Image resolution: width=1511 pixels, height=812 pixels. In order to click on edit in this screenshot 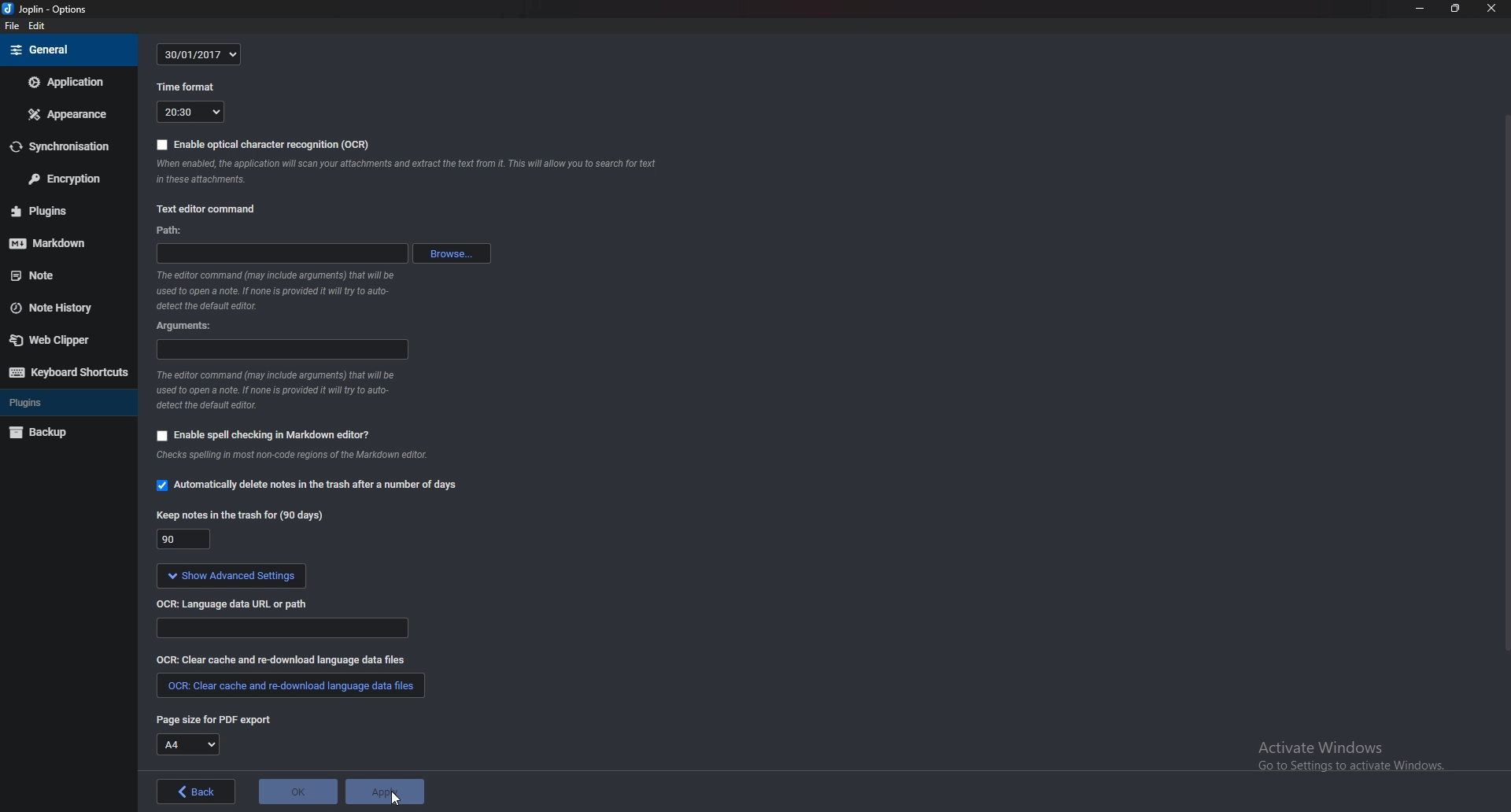, I will do `click(39, 26)`.